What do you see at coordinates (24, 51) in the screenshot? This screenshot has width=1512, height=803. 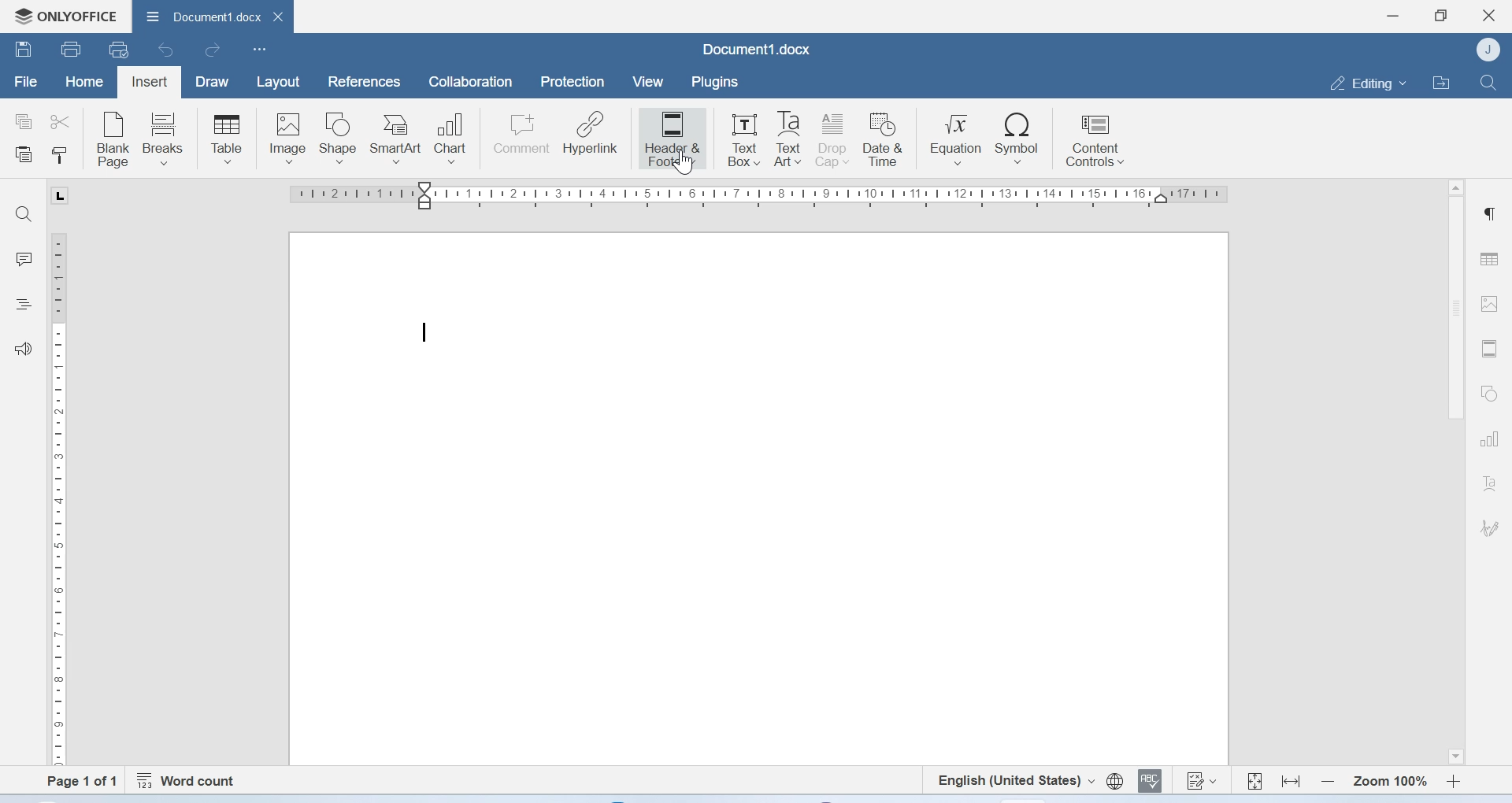 I see `Save` at bounding box center [24, 51].